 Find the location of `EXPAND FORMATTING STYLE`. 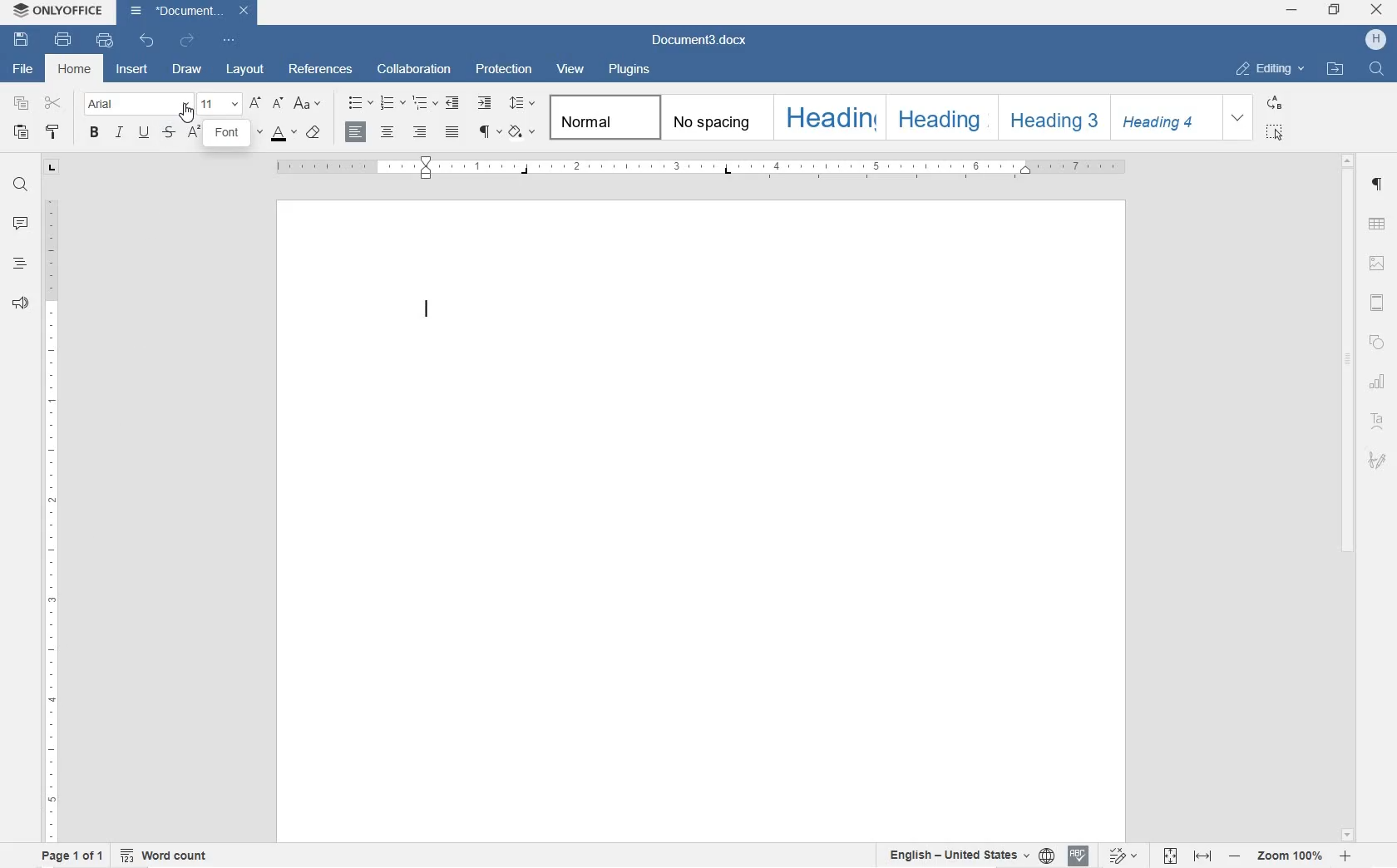

EXPAND FORMATTING STYLE is located at coordinates (1239, 118).